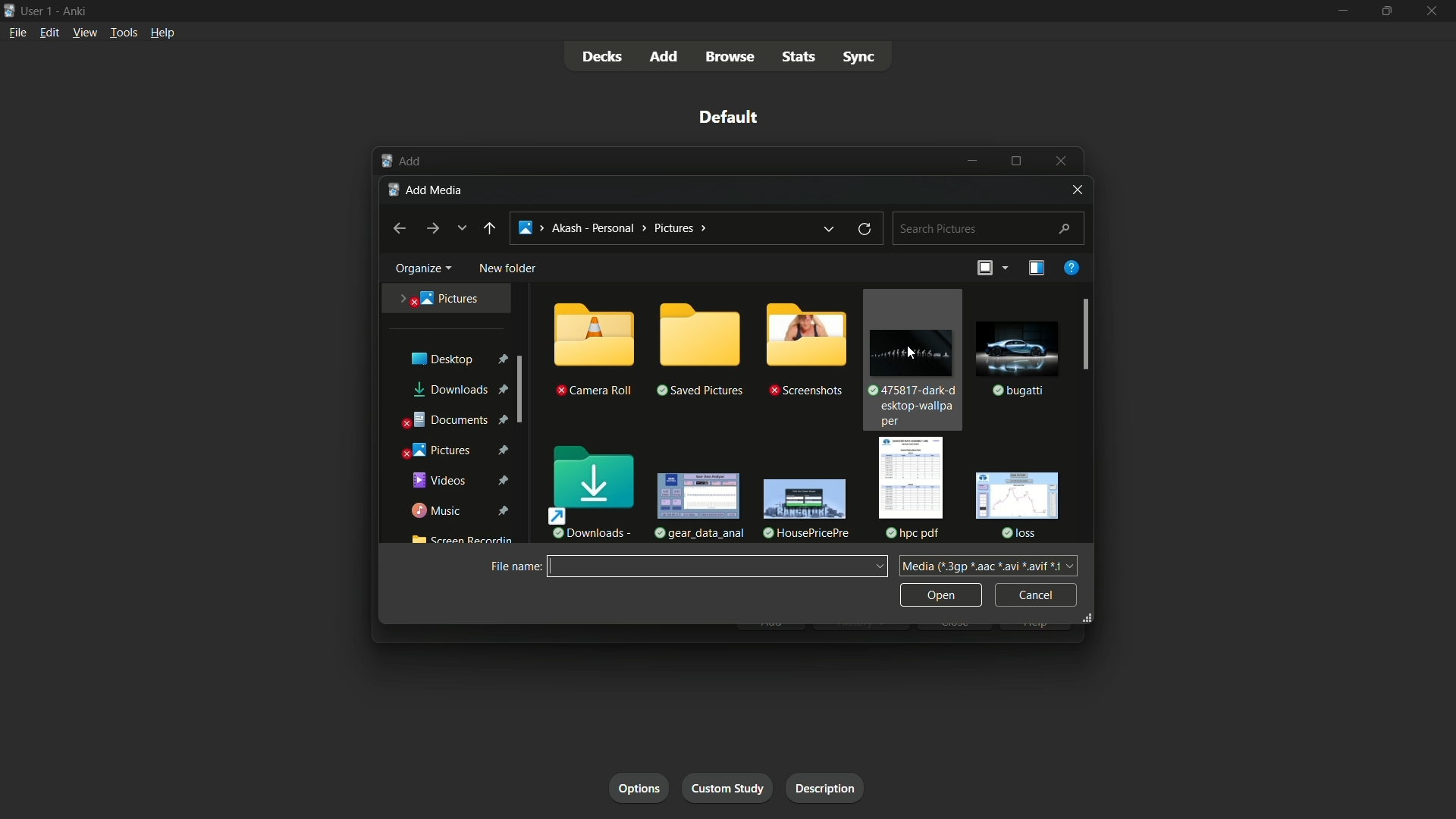 Image resolution: width=1456 pixels, height=819 pixels. I want to click on new folder, so click(504, 268).